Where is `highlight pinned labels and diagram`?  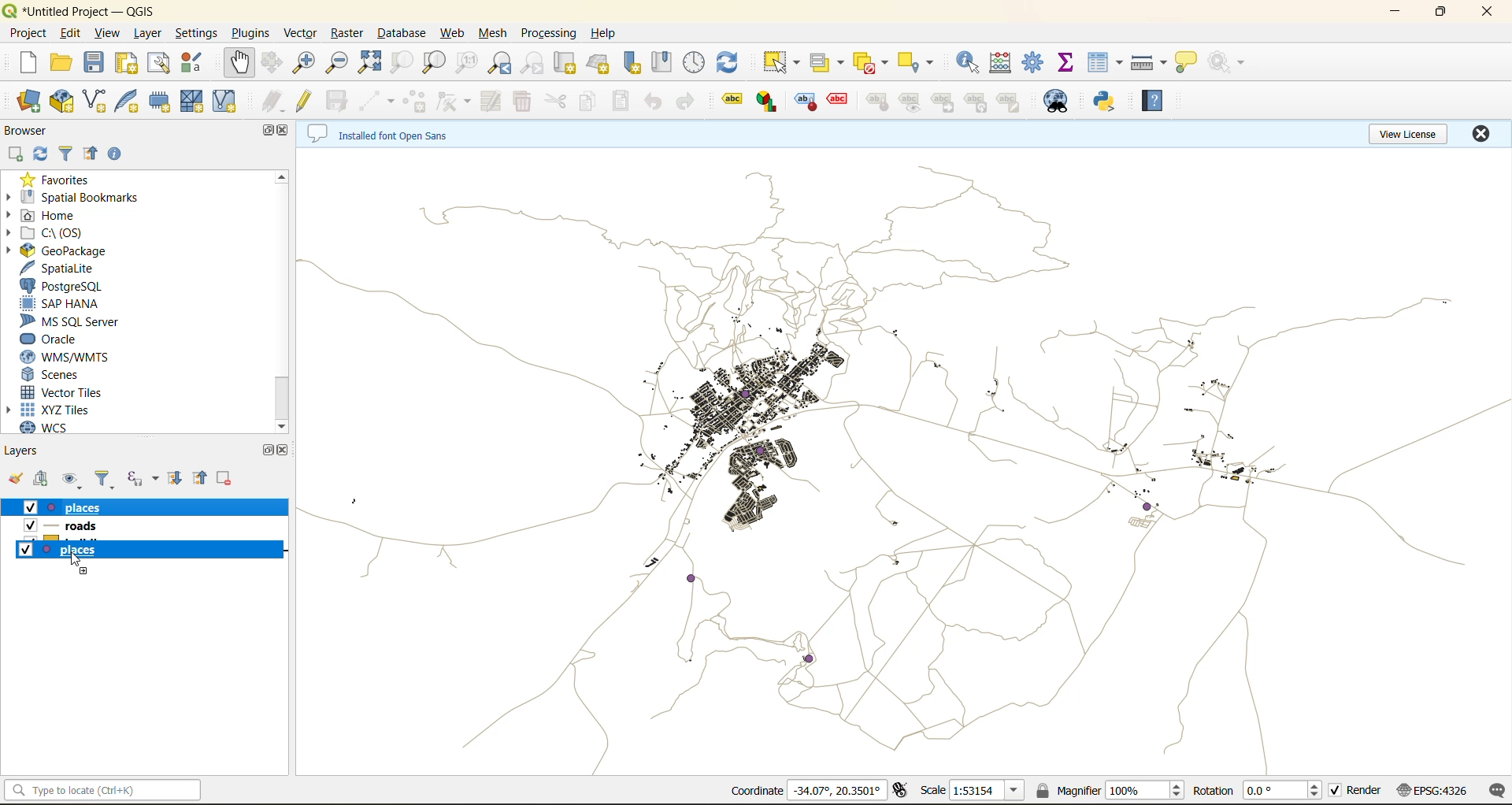 highlight pinned labels and diagram is located at coordinates (804, 102).